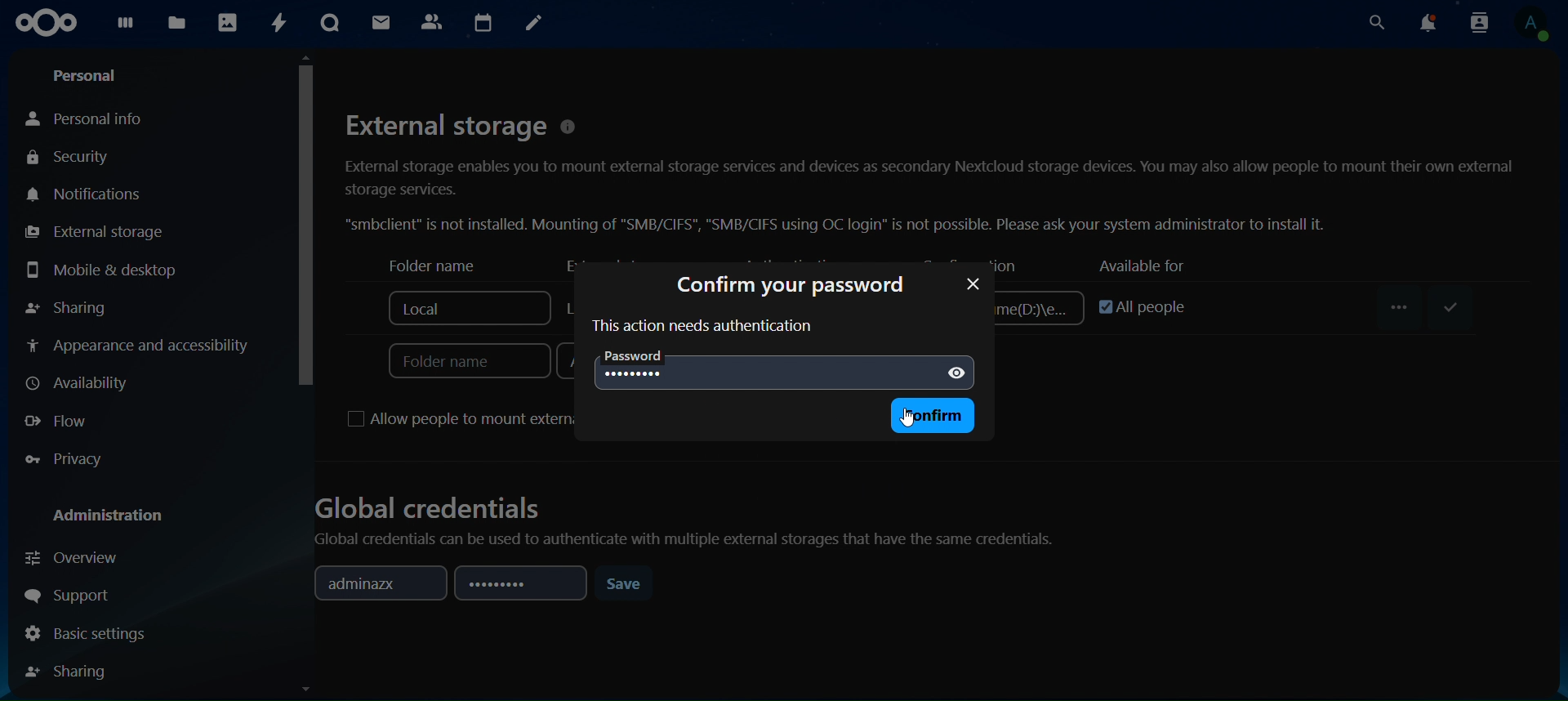 The height and width of the screenshot is (701, 1568). What do you see at coordinates (176, 25) in the screenshot?
I see `files` at bounding box center [176, 25].